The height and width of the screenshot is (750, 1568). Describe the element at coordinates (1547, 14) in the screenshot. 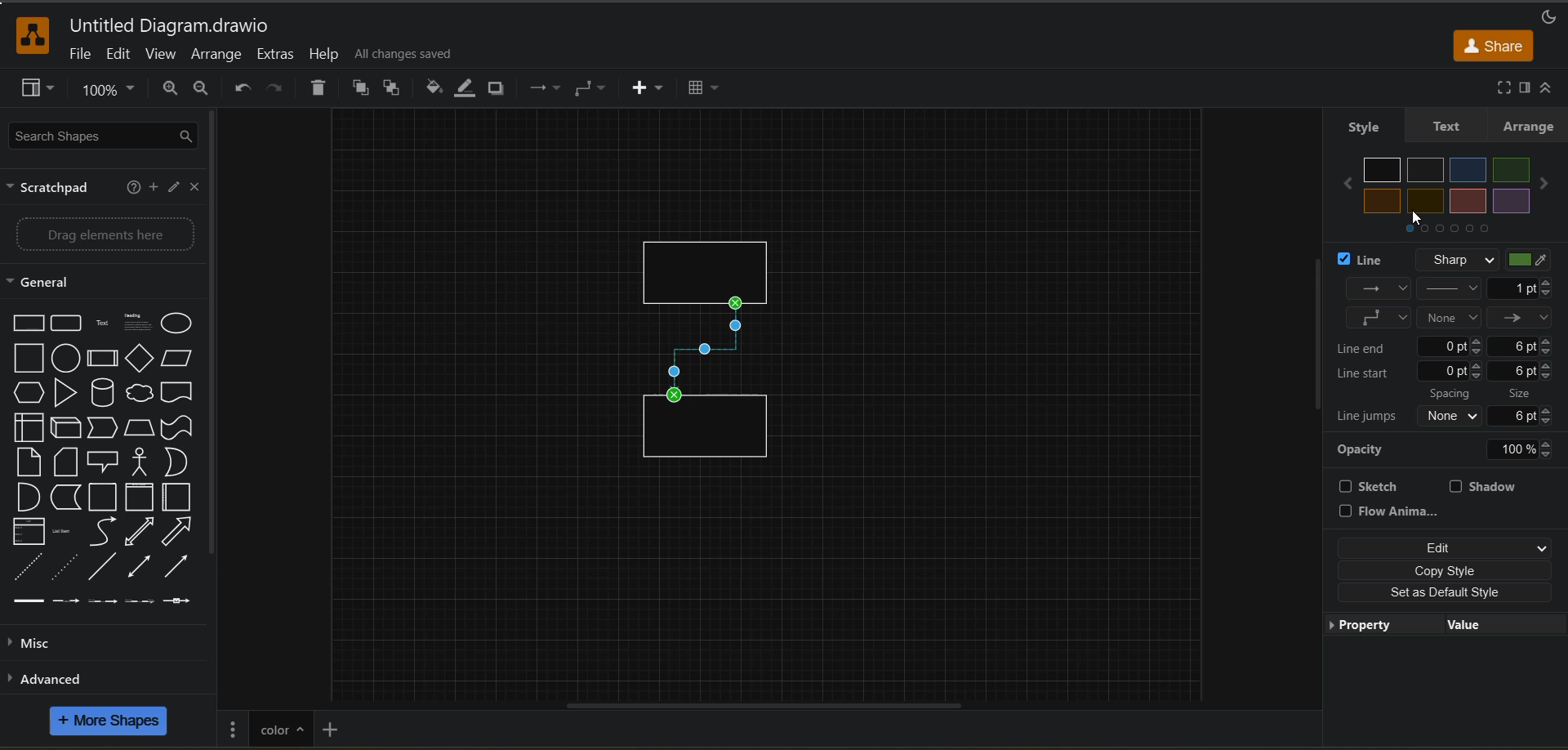

I see `appearance` at that location.